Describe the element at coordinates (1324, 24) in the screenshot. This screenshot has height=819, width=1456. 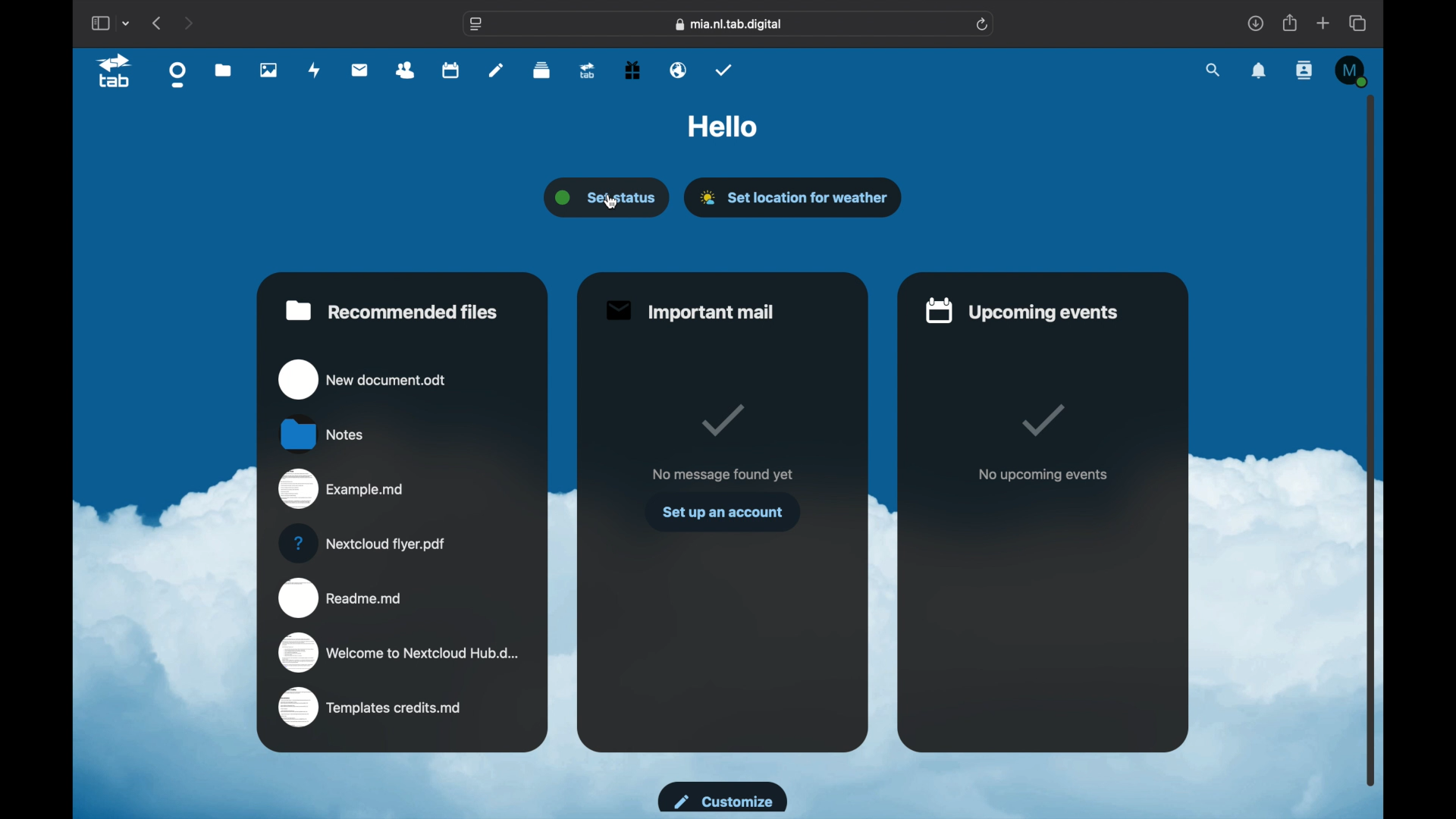
I see `new tab` at that location.